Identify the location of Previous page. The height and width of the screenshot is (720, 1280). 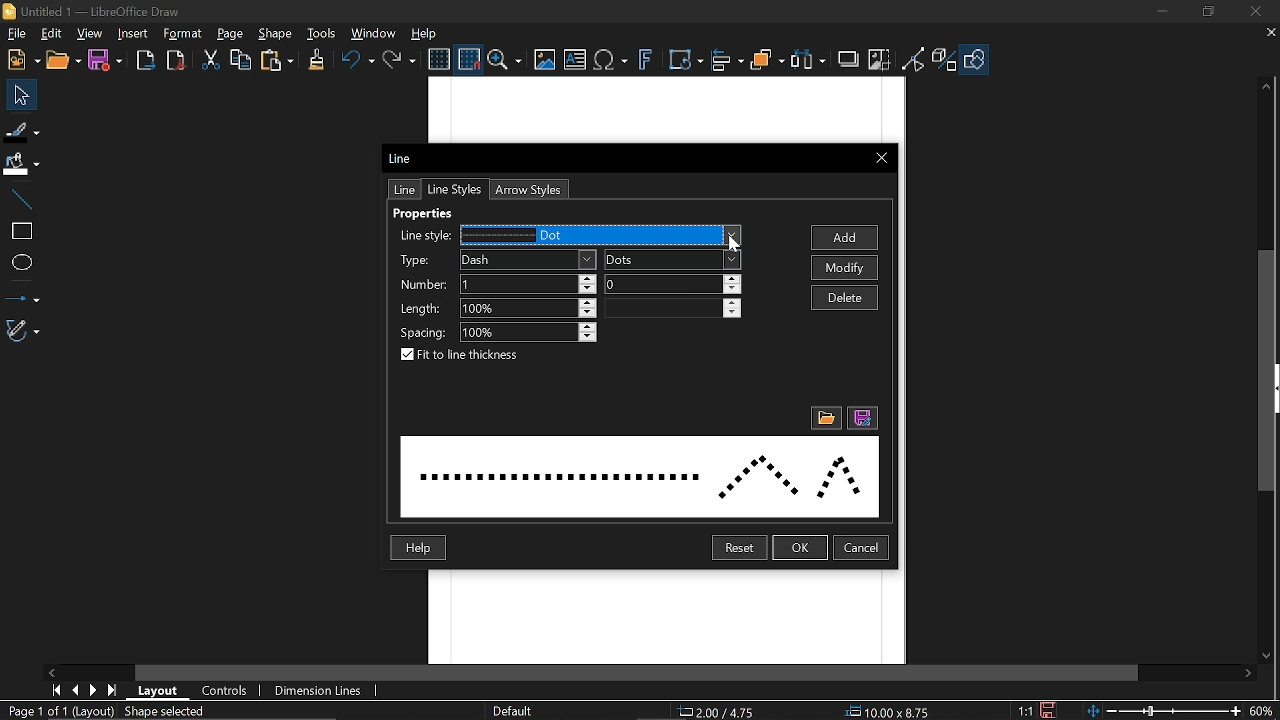
(78, 689).